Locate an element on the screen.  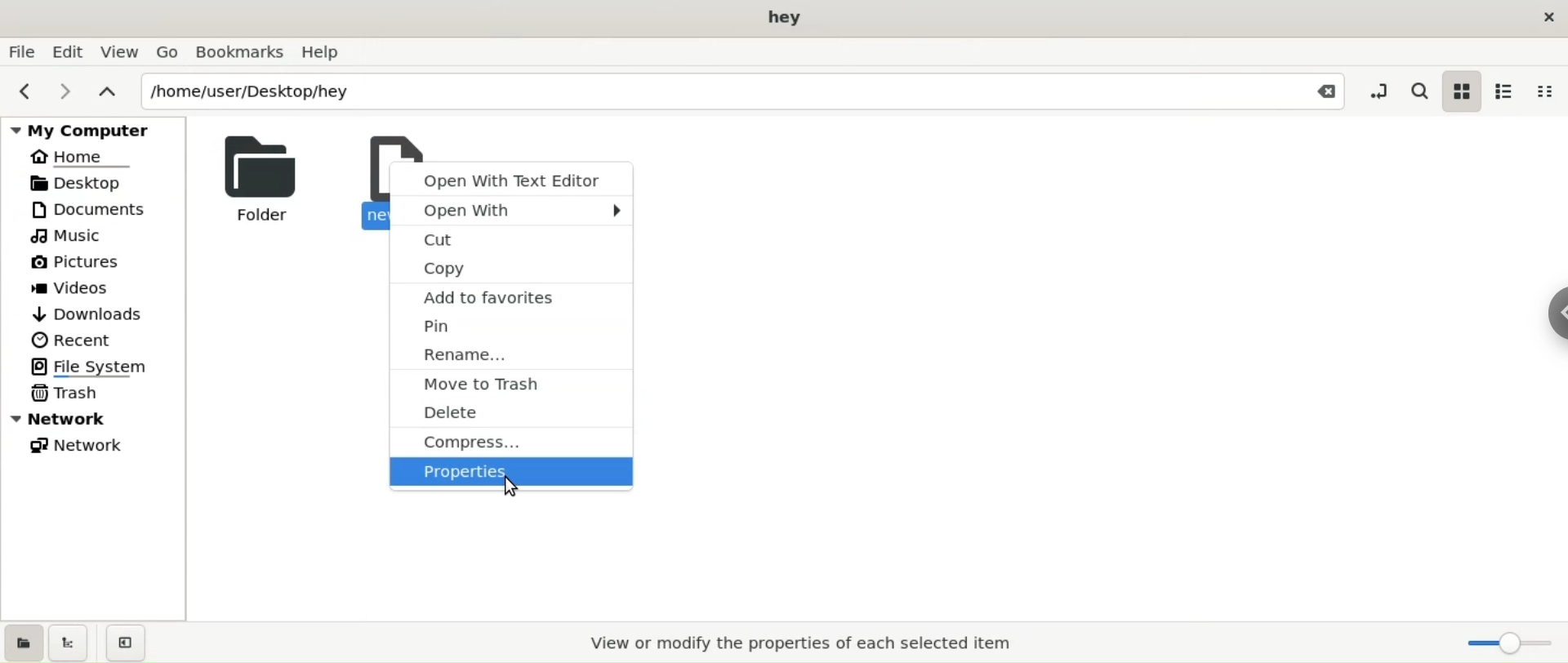
Recent is located at coordinates (102, 338).